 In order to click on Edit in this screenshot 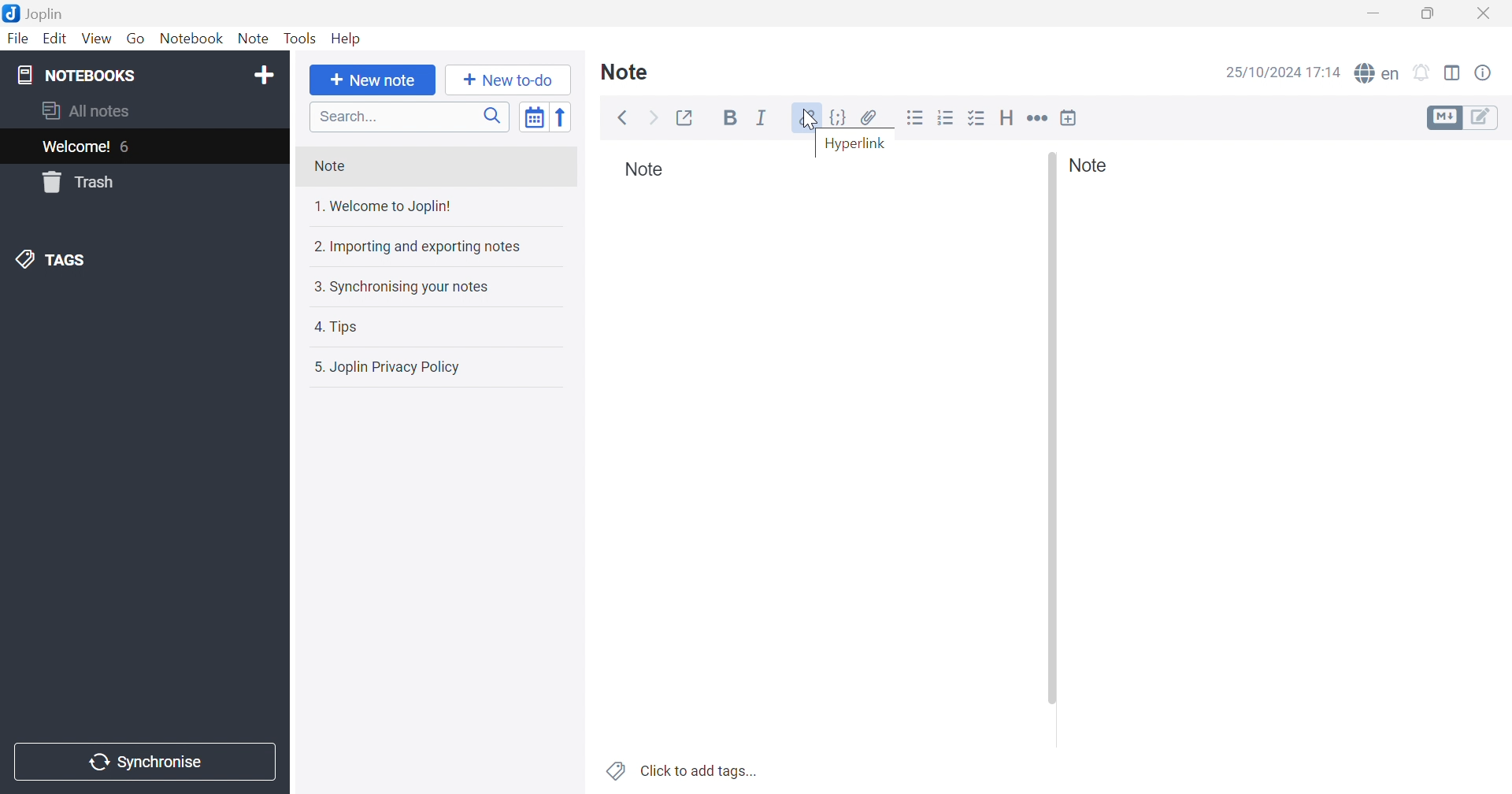, I will do `click(56, 39)`.